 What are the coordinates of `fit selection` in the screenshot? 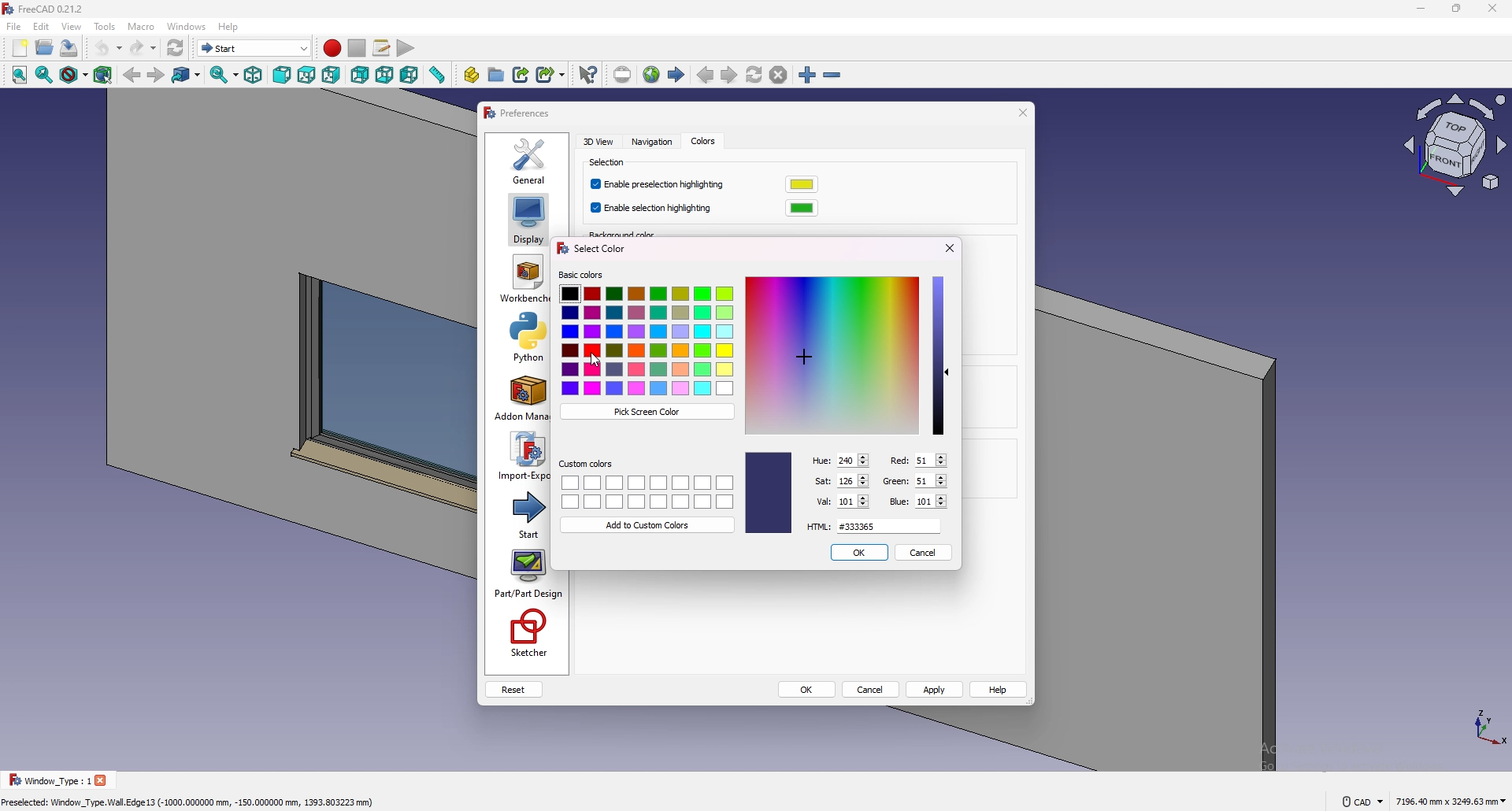 It's located at (44, 75).